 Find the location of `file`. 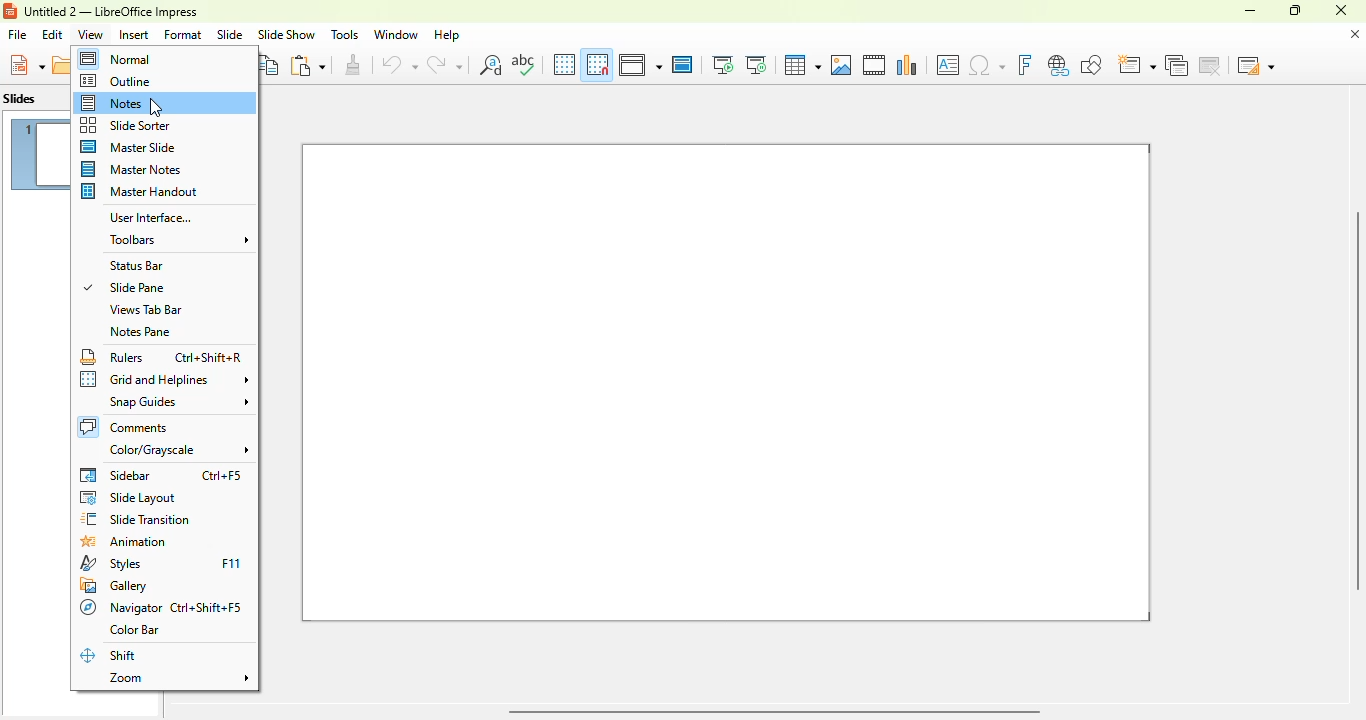

file is located at coordinates (17, 35).